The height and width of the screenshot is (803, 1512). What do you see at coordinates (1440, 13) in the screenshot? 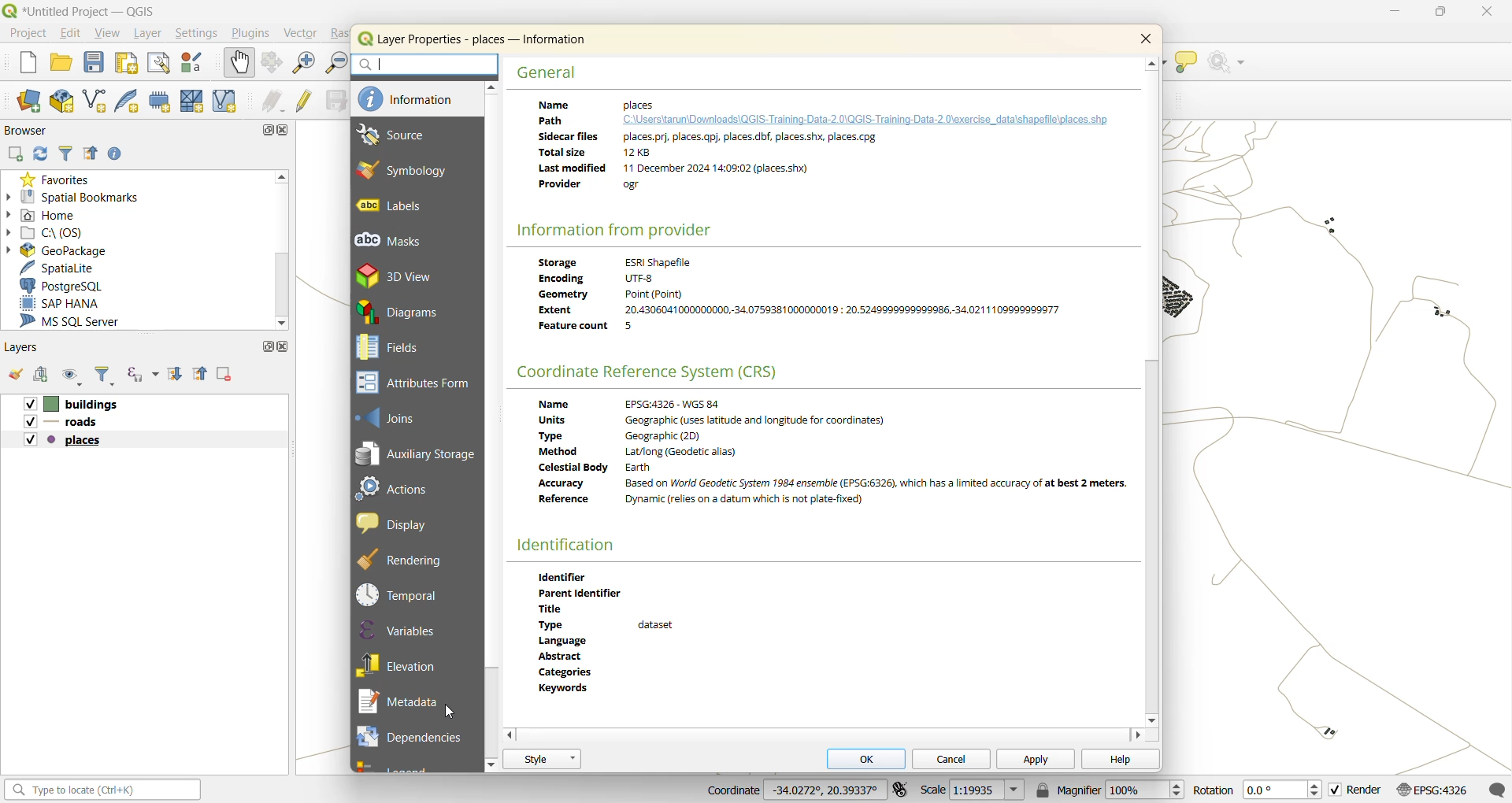
I see `maximize` at bounding box center [1440, 13].